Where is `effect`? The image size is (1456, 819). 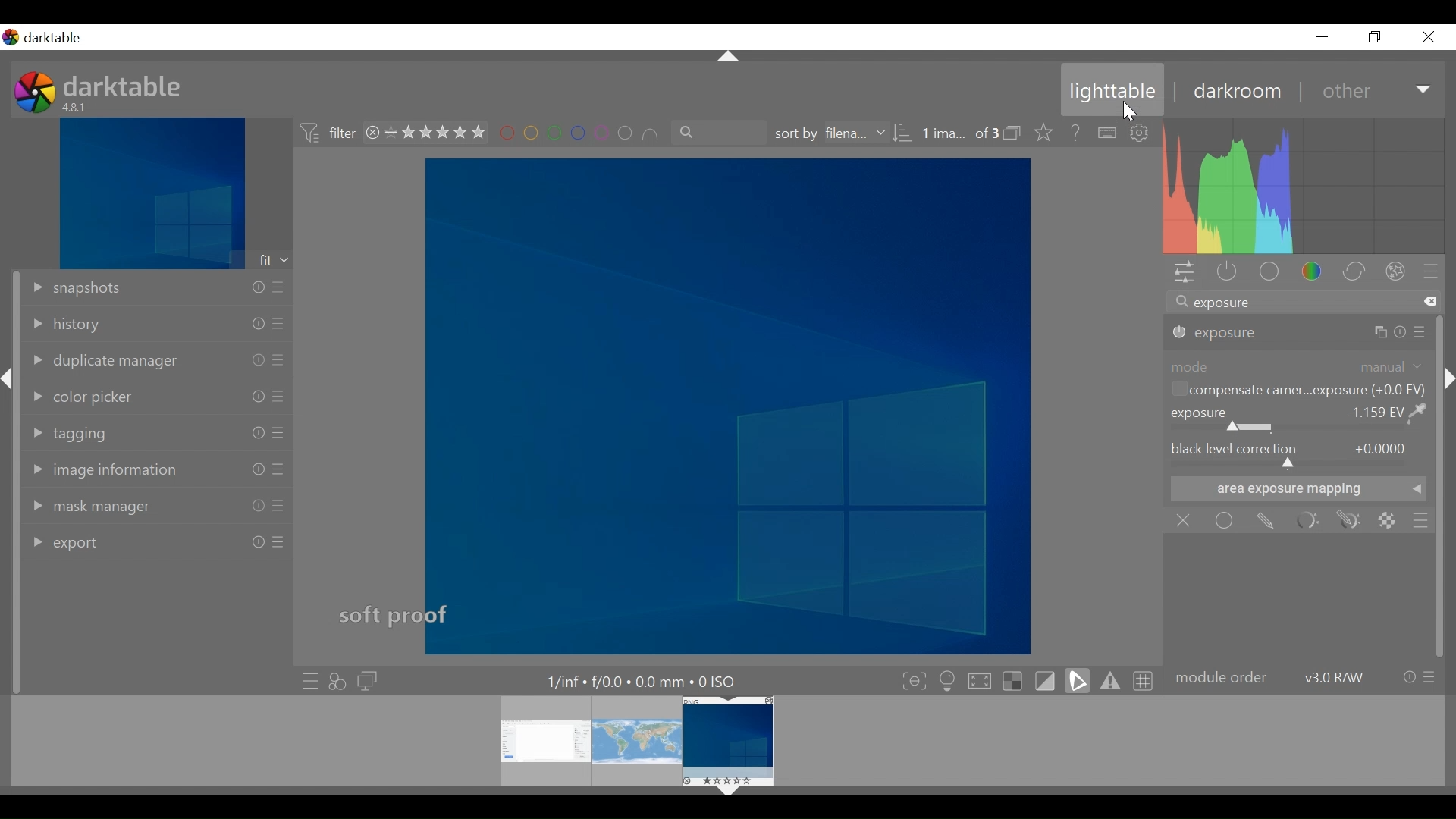
effect is located at coordinates (1396, 271).